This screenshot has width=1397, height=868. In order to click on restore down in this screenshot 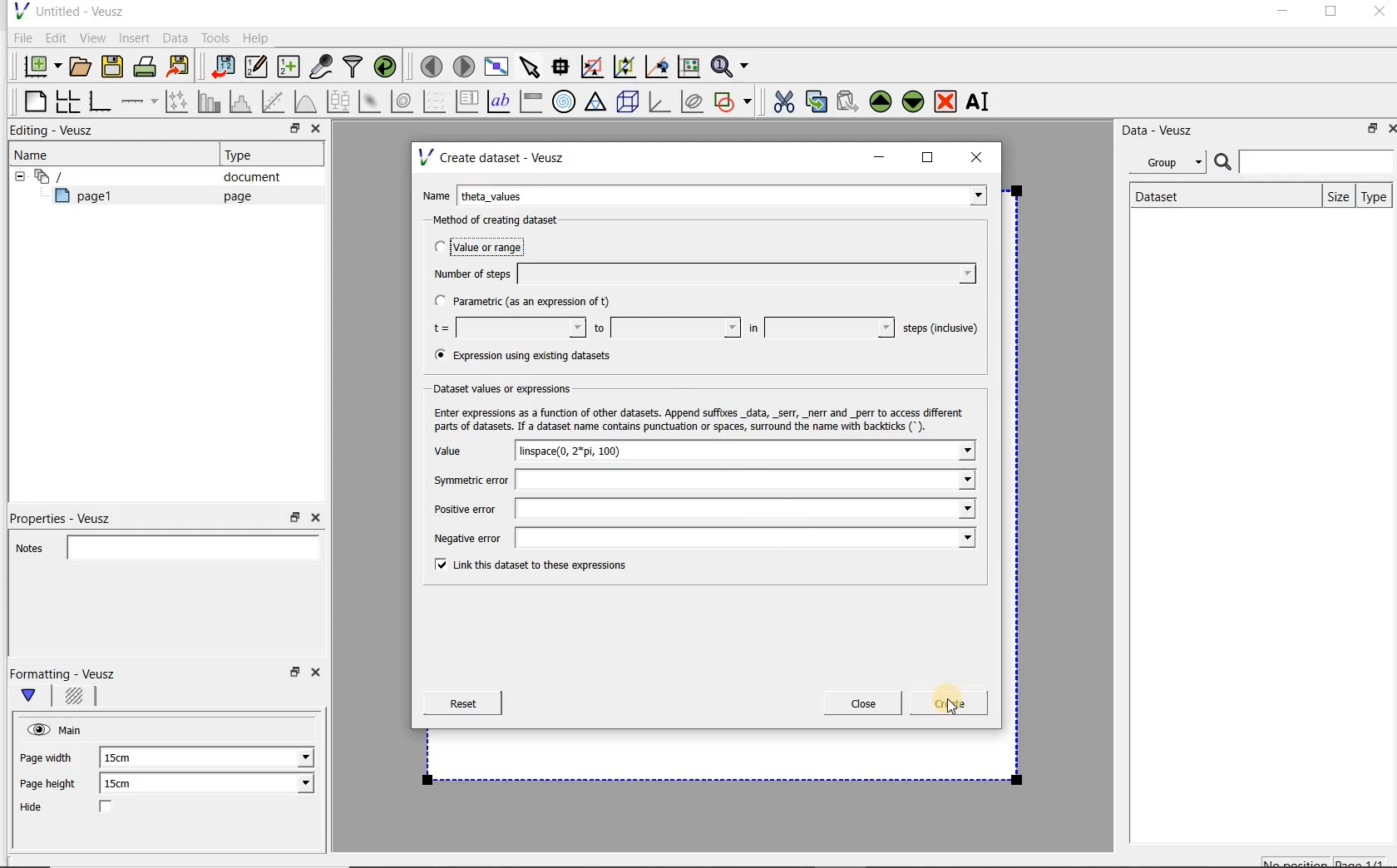, I will do `click(293, 677)`.